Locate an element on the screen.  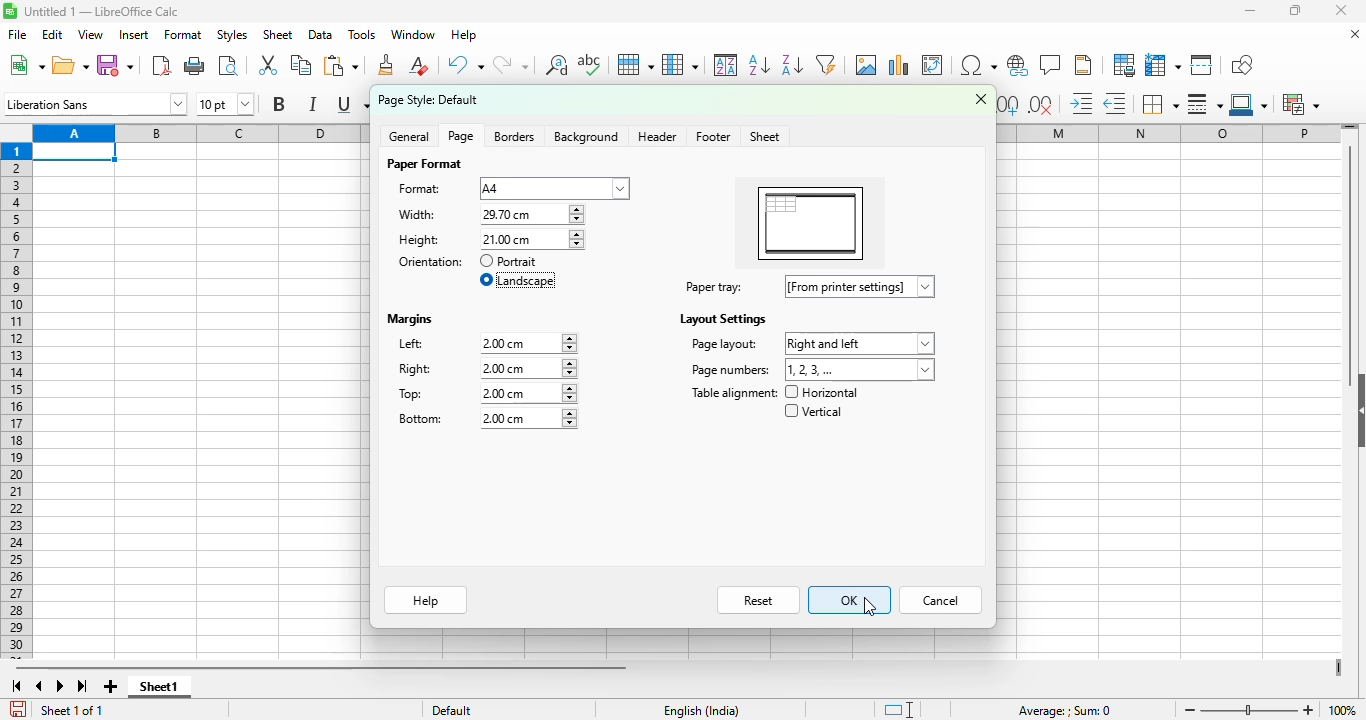
insert comment is located at coordinates (1052, 64).